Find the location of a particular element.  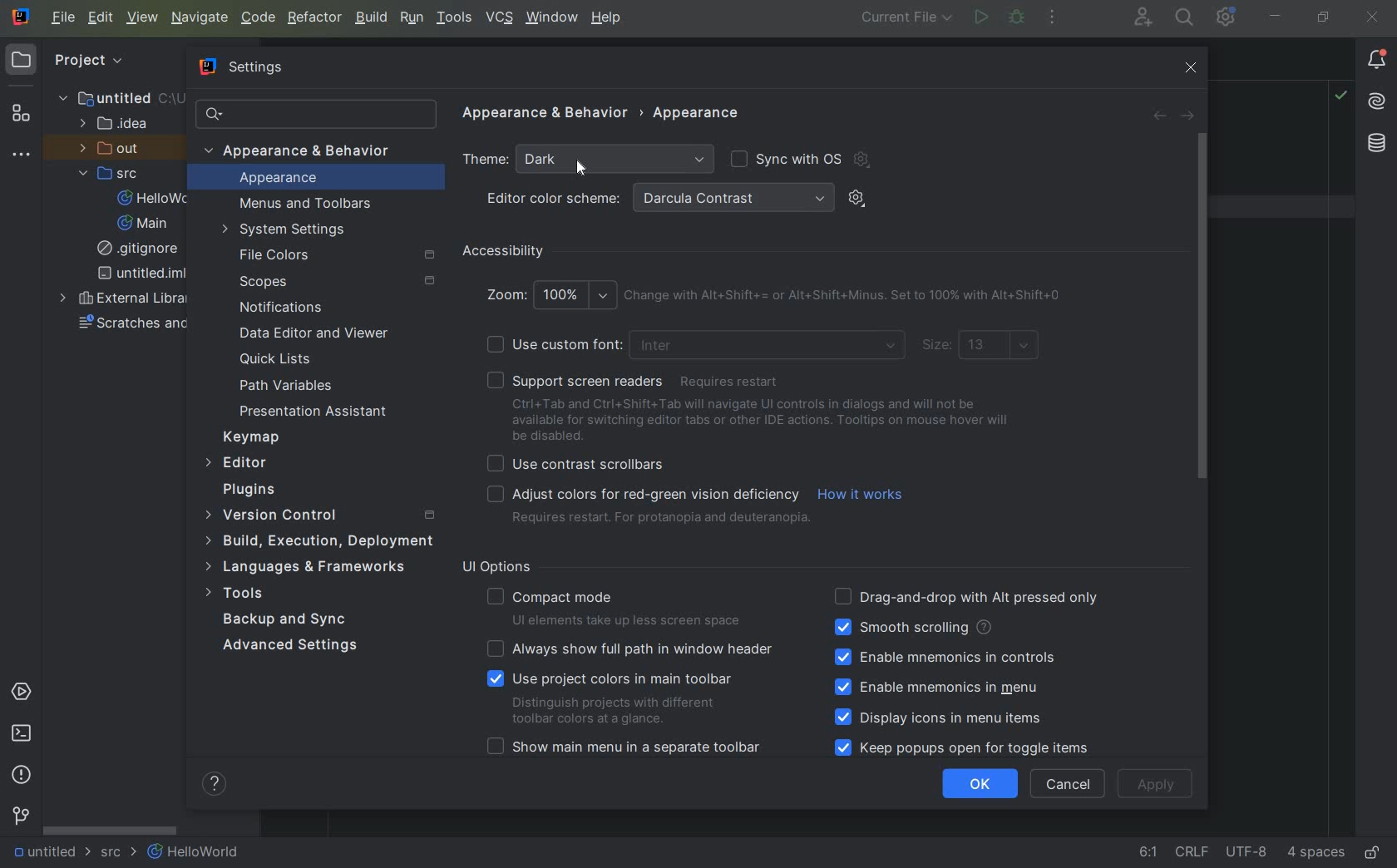

HelloWorld is located at coordinates (195, 853).